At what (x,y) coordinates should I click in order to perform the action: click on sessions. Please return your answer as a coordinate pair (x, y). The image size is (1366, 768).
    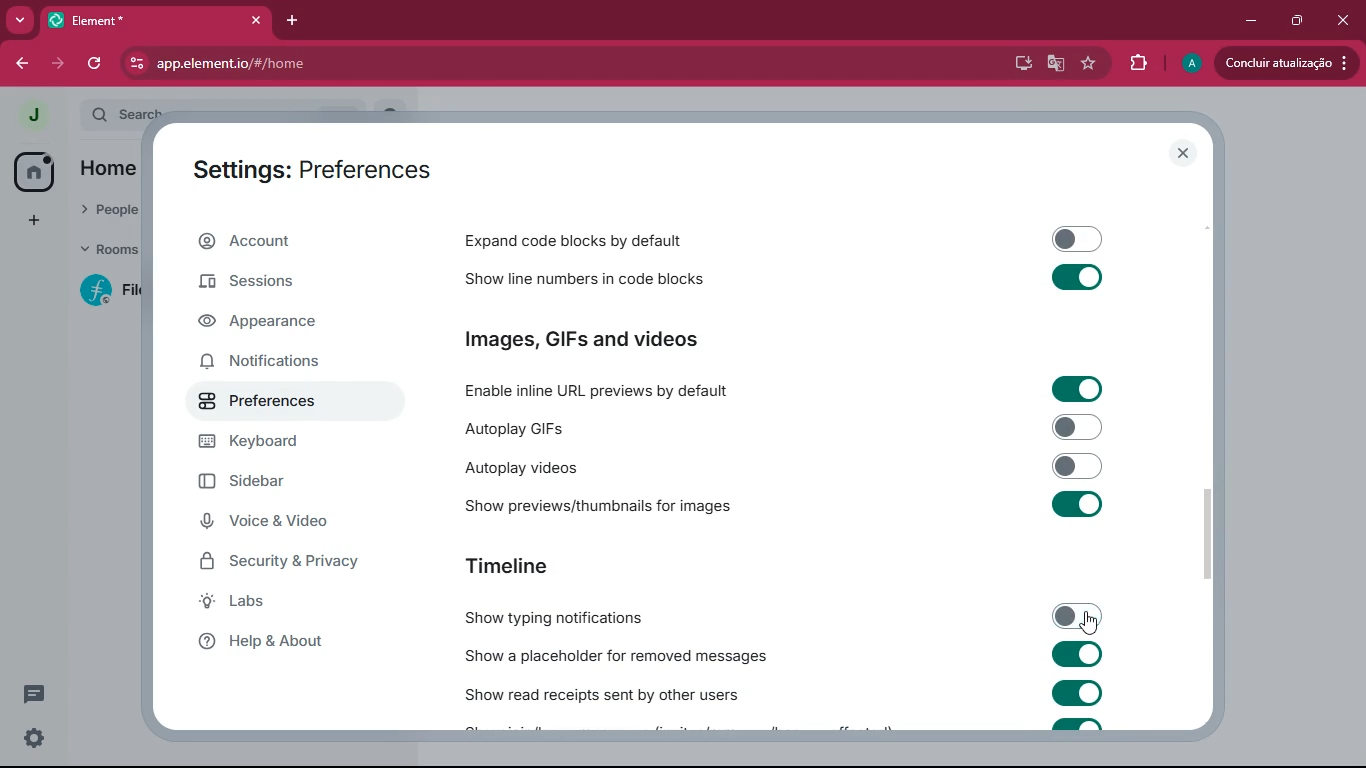
    Looking at the image, I should click on (272, 283).